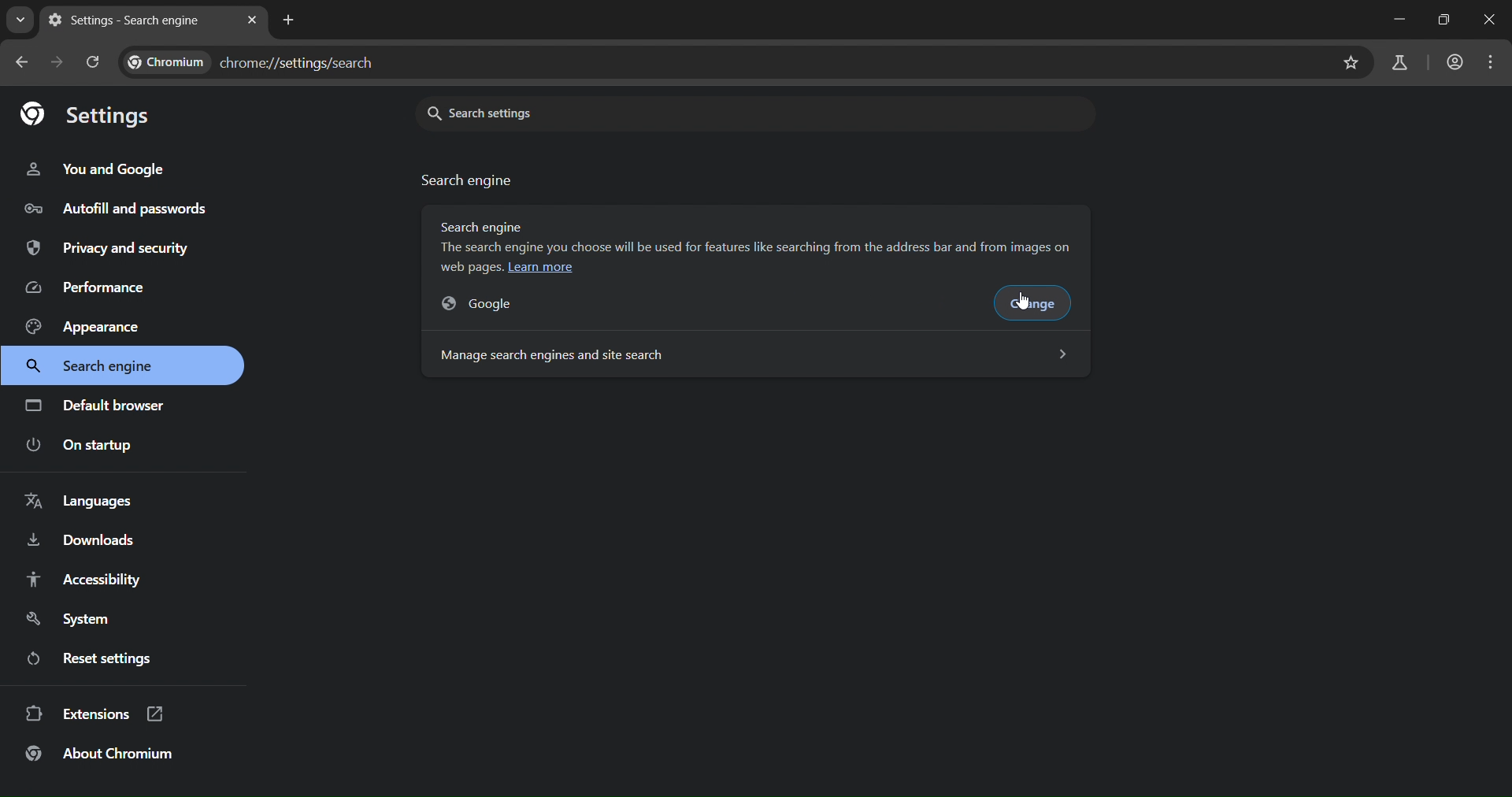  What do you see at coordinates (98, 367) in the screenshot?
I see `search engine` at bounding box center [98, 367].